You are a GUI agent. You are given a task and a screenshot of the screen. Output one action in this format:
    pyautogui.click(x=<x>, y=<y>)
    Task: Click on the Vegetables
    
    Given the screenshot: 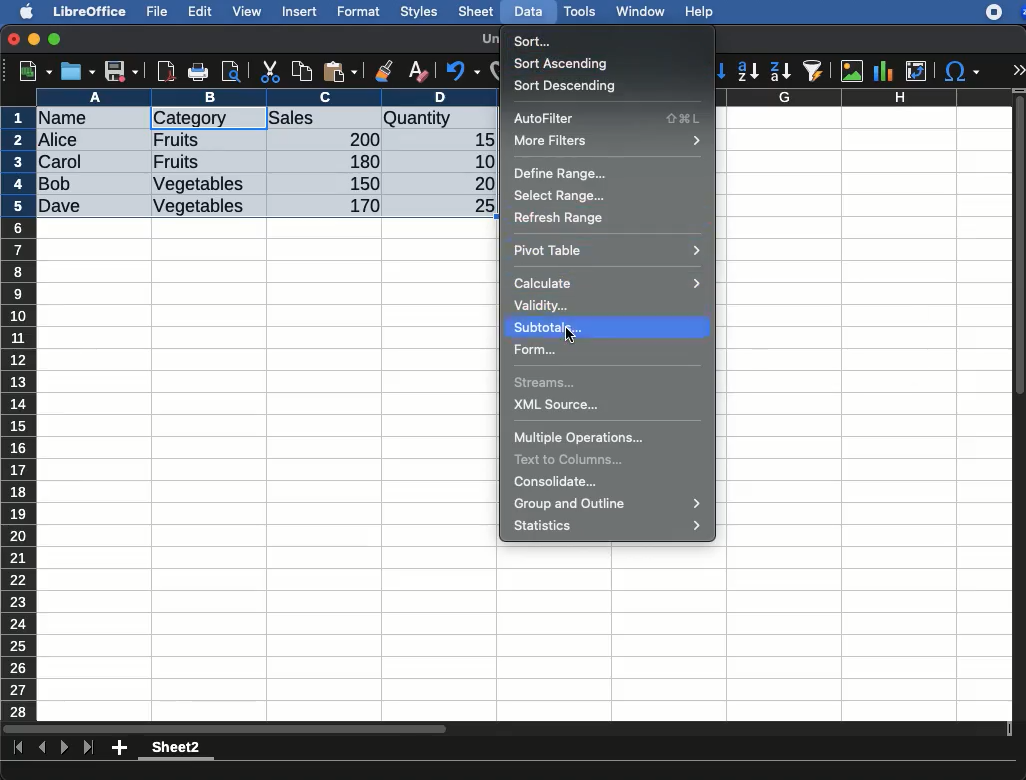 What is the action you would take?
    pyautogui.click(x=198, y=207)
    